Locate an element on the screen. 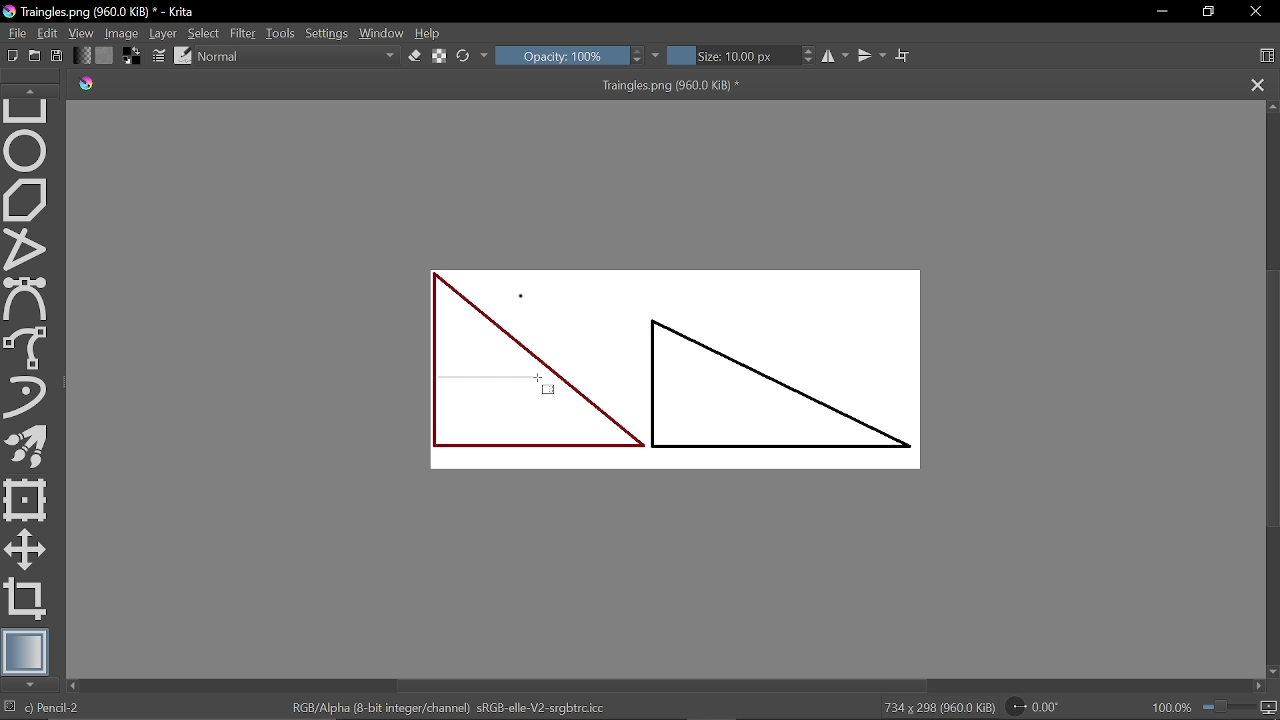 This screenshot has width=1280, height=720. Create new document is located at coordinates (10, 55).